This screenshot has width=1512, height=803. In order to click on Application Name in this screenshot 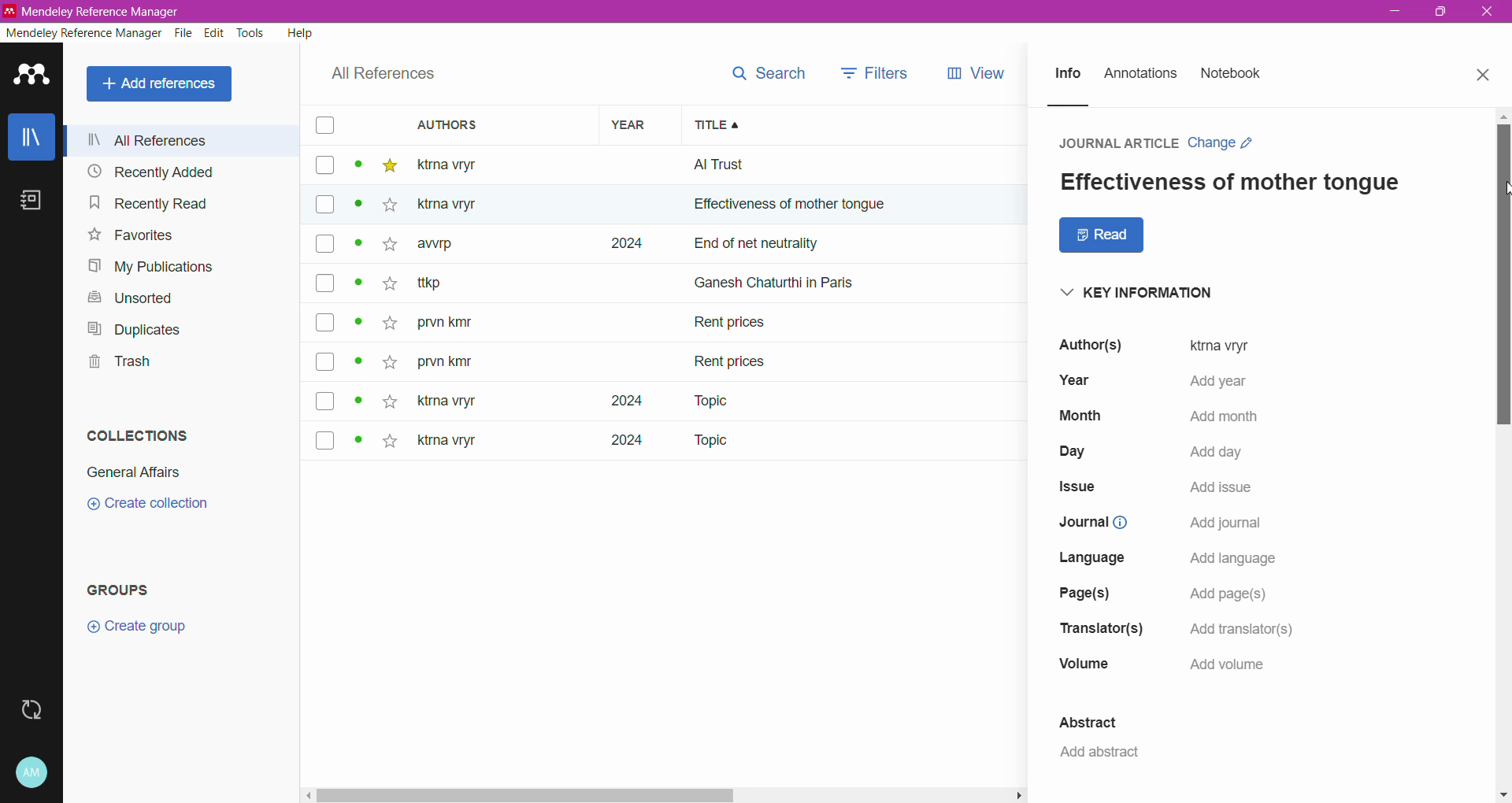, I will do `click(107, 11)`.